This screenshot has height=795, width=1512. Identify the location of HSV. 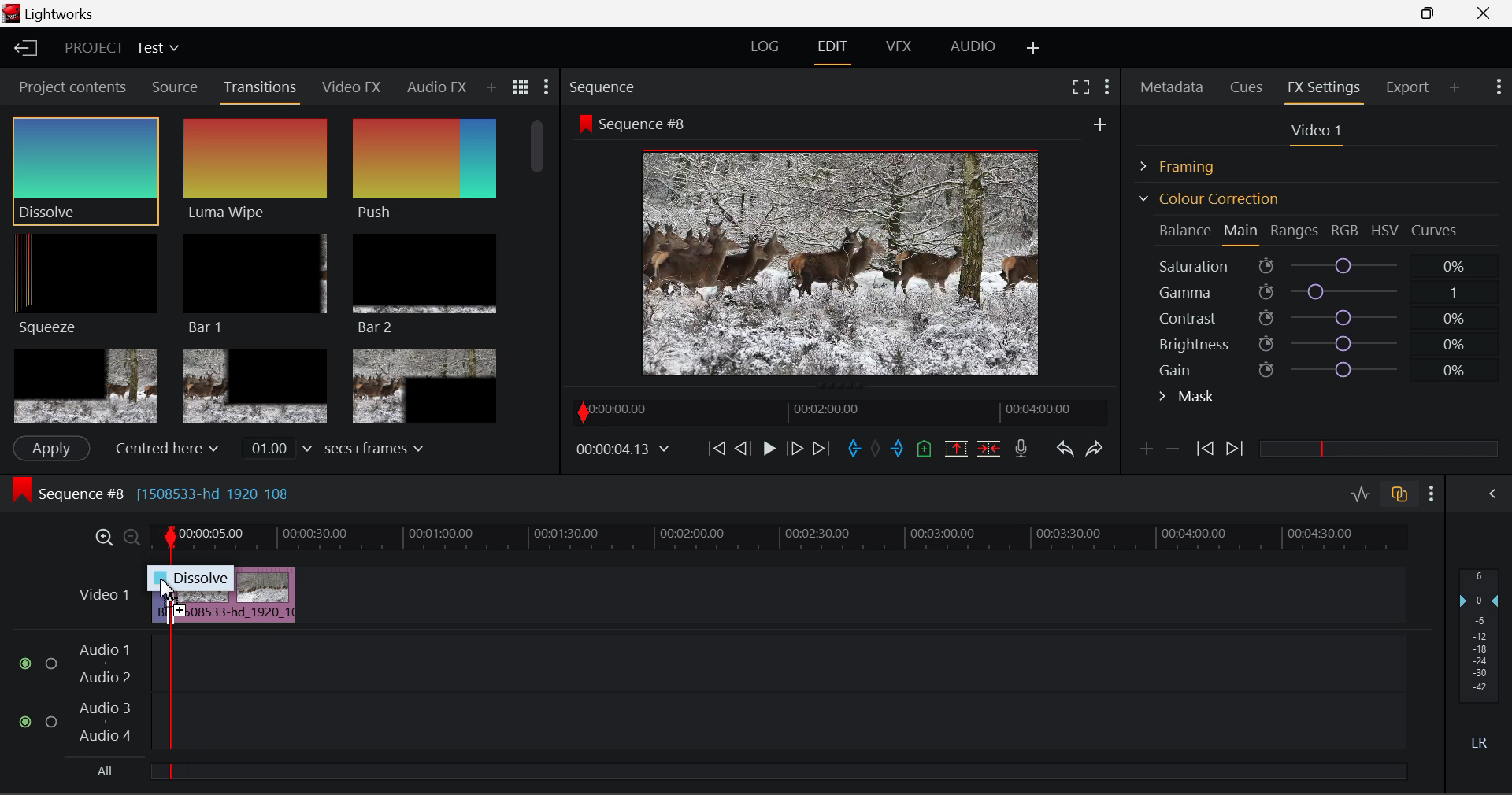
(1385, 230).